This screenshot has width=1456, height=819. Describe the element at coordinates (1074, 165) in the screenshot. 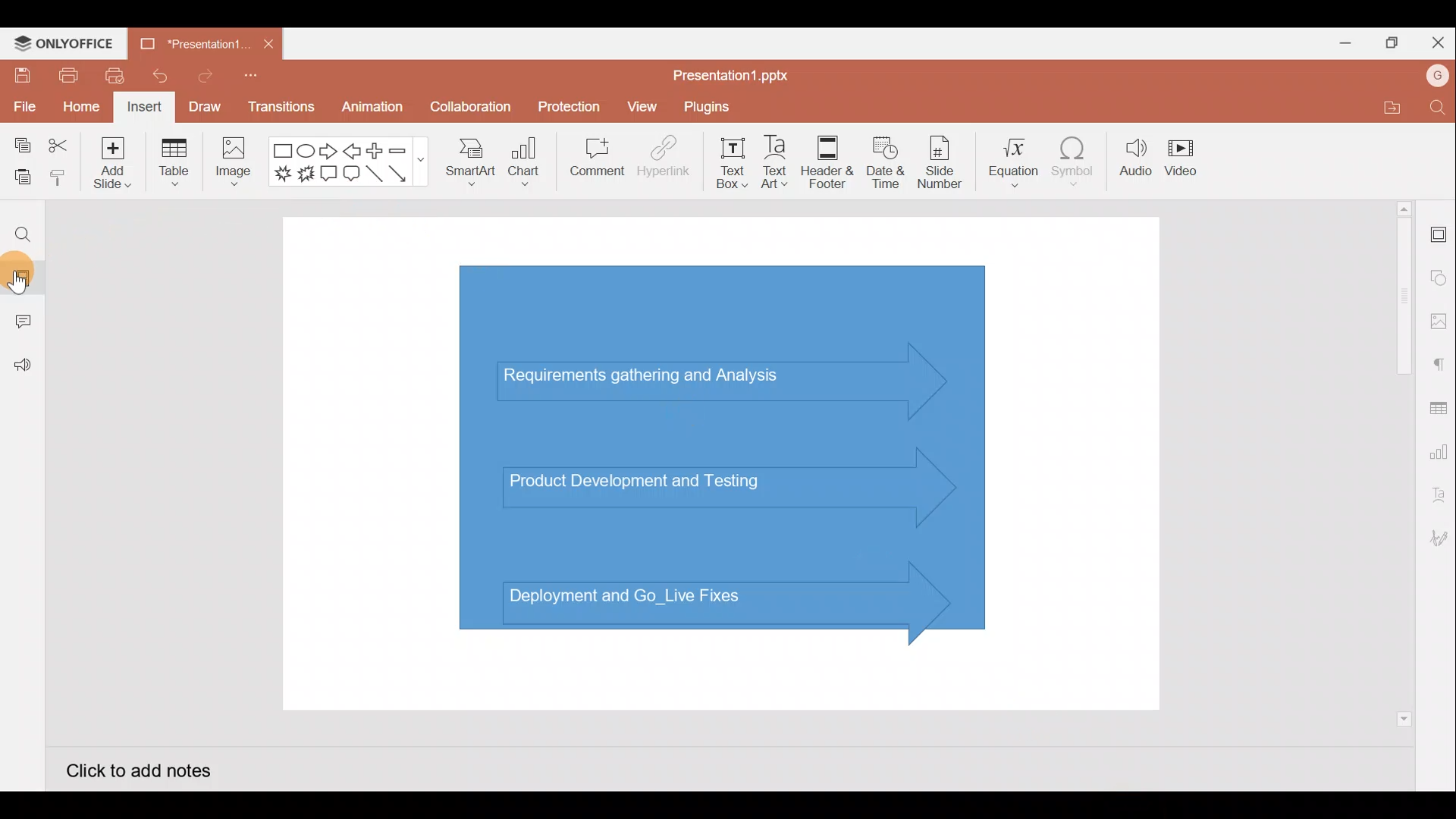

I see `Symbol` at that location.